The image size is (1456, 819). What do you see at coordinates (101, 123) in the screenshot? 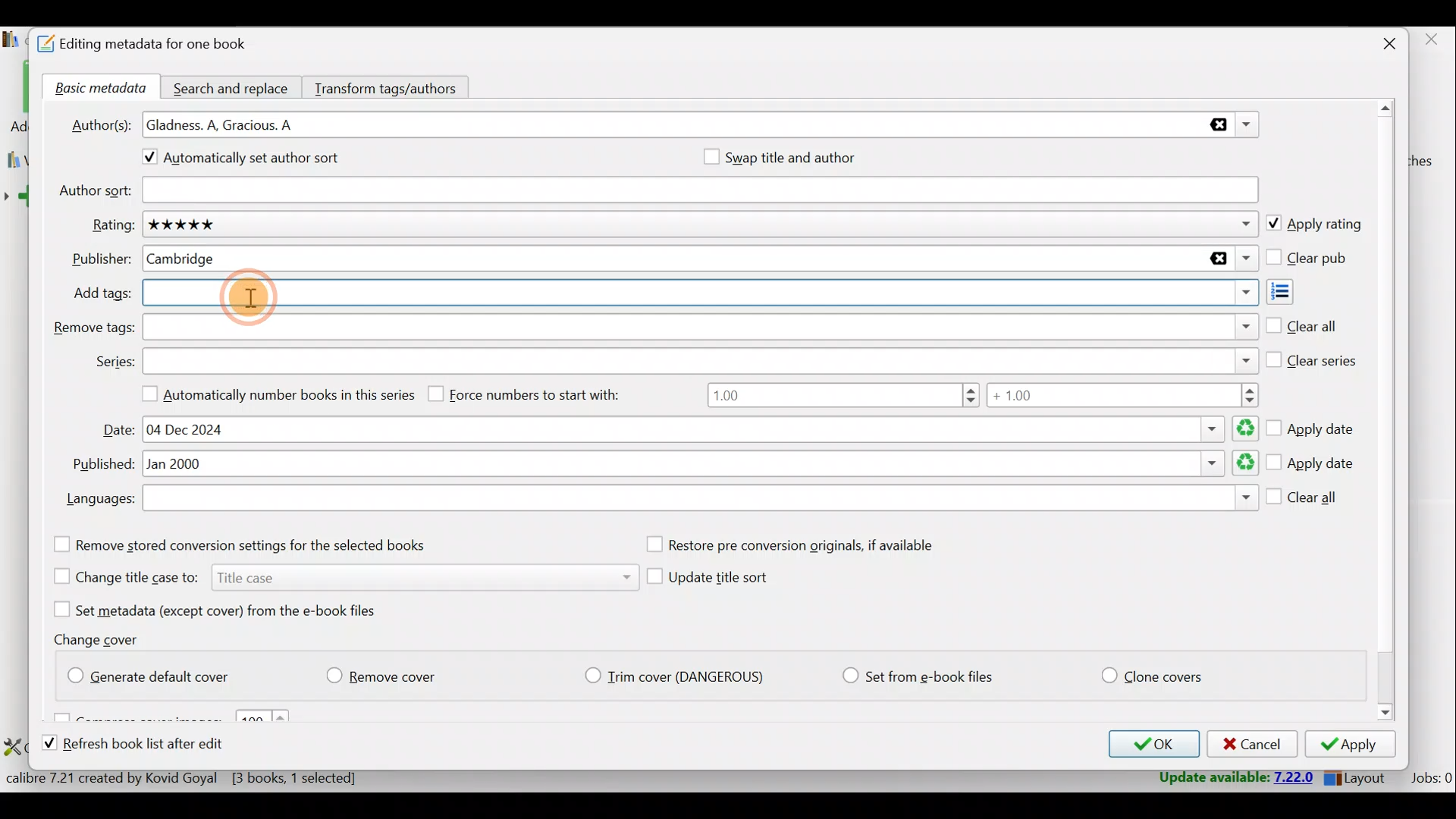
I see `Author(s):` at bounding box center [101, 123].